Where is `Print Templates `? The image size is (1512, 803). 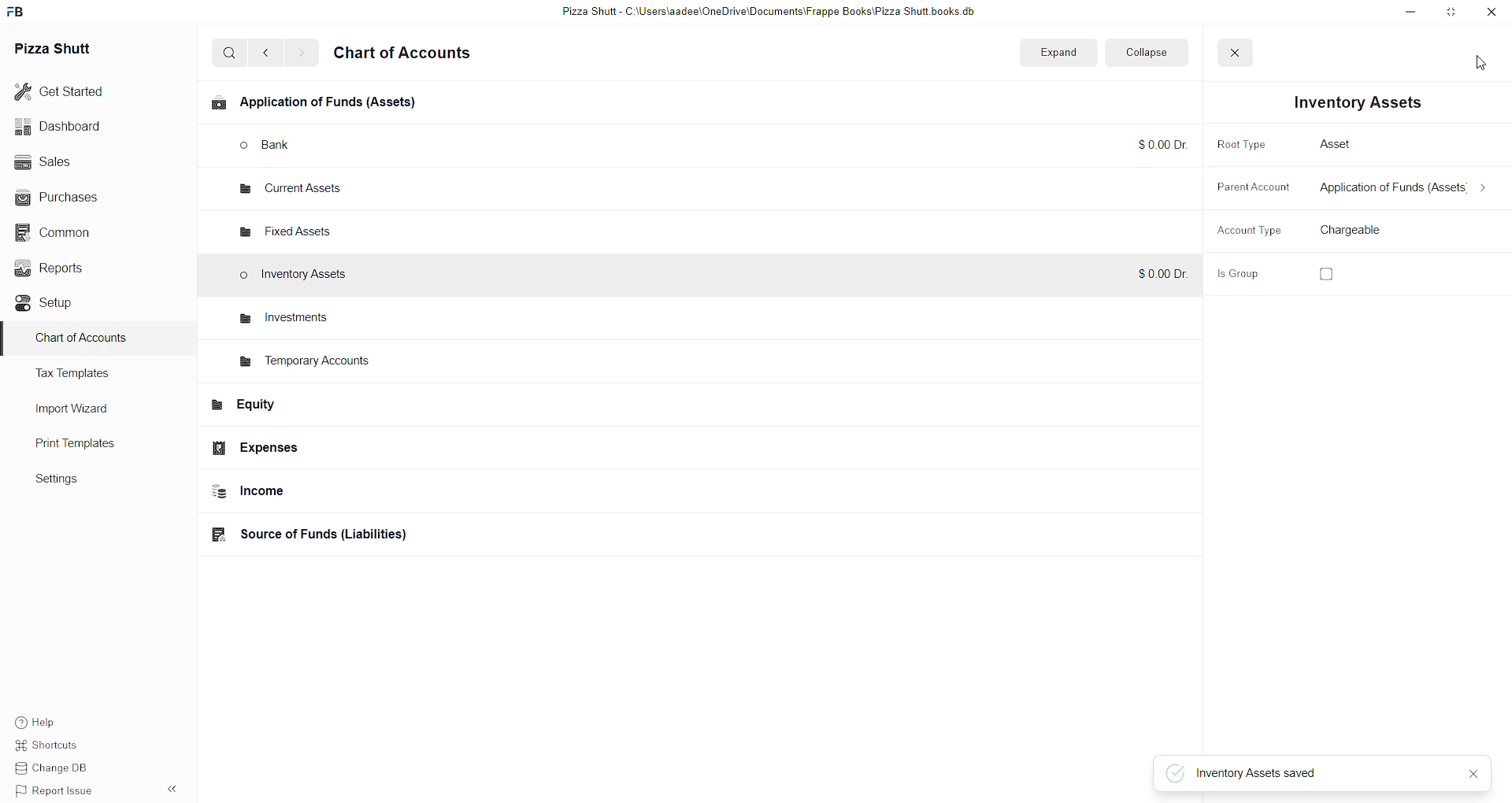
Print Templates  is located at coordinates (91, 445).